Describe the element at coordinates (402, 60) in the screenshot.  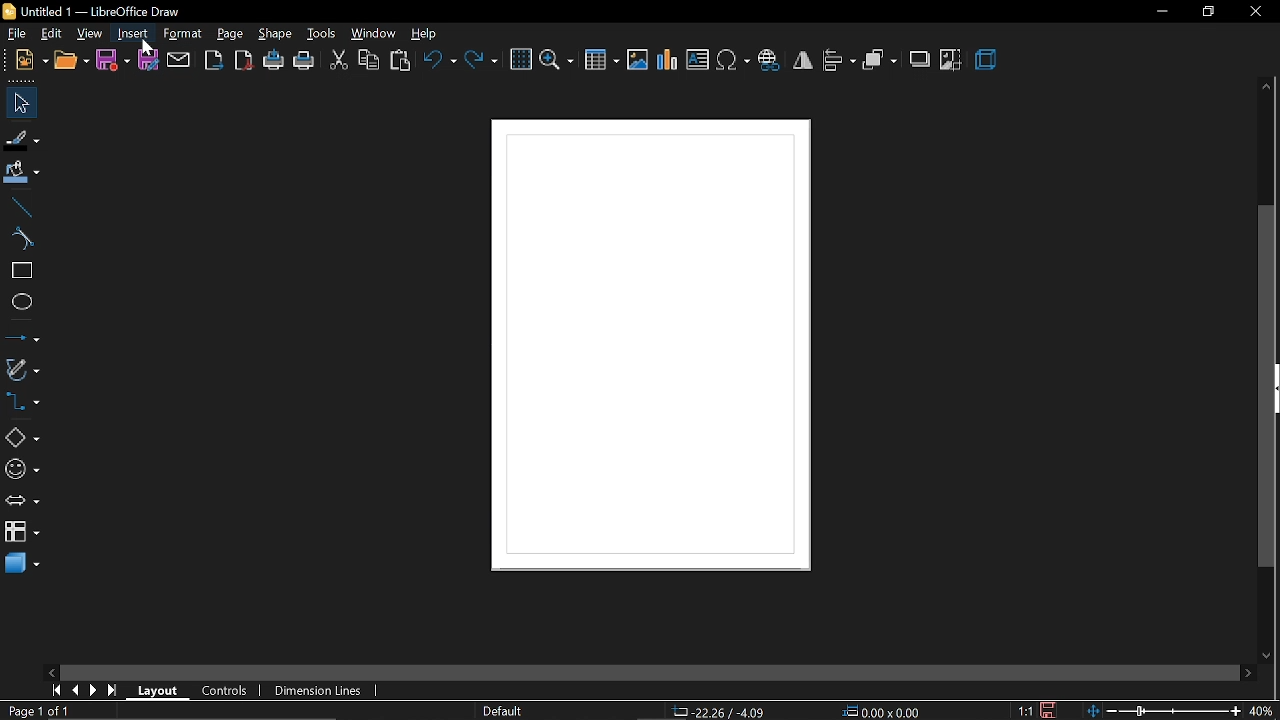
I see `paste` at that location.